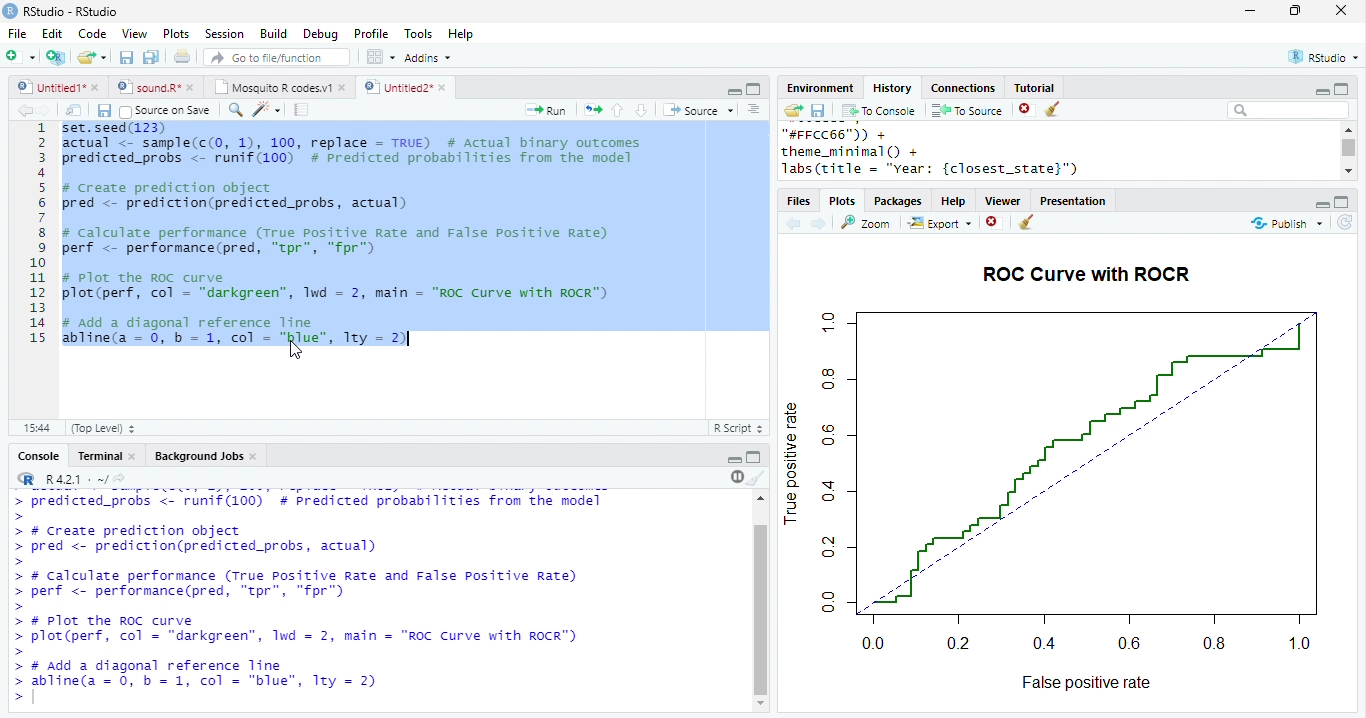  I want to click on To source, so click(967, 110).